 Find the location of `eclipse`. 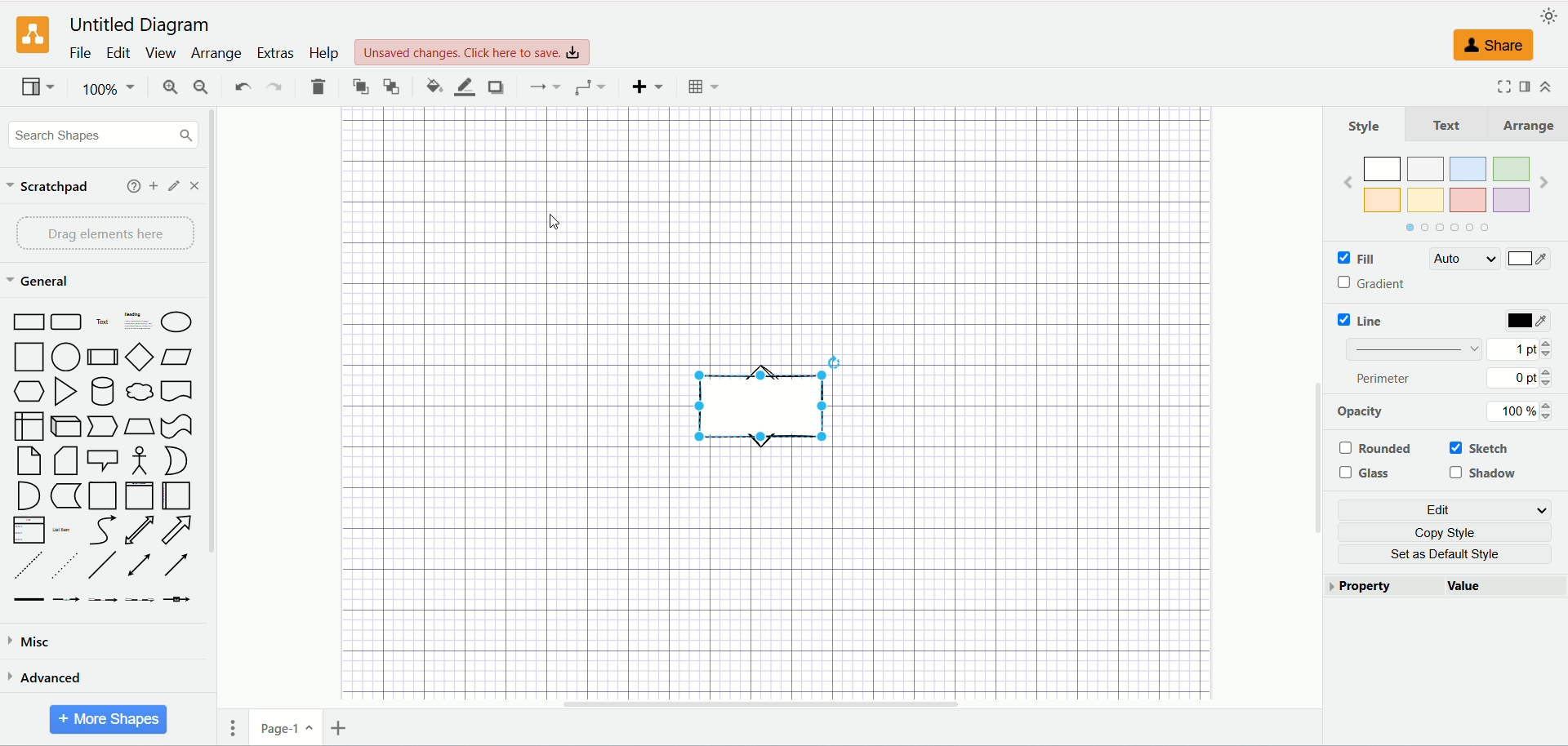

eclipse is located at coordinates (178, 322).